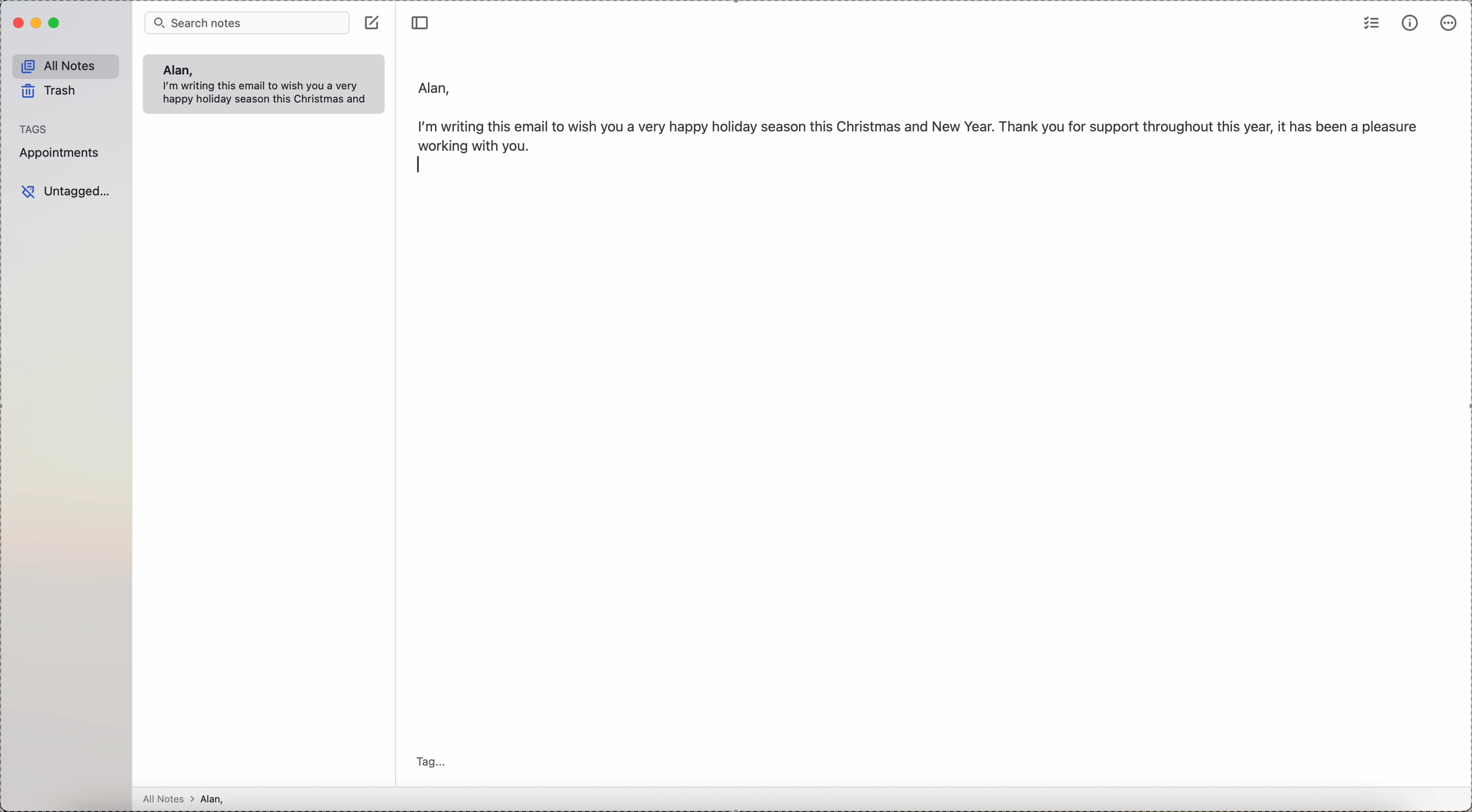  What do you see at coordinates (1372, 22) in the screenshot?
I see `check list` at bounding box center [1372, 22].